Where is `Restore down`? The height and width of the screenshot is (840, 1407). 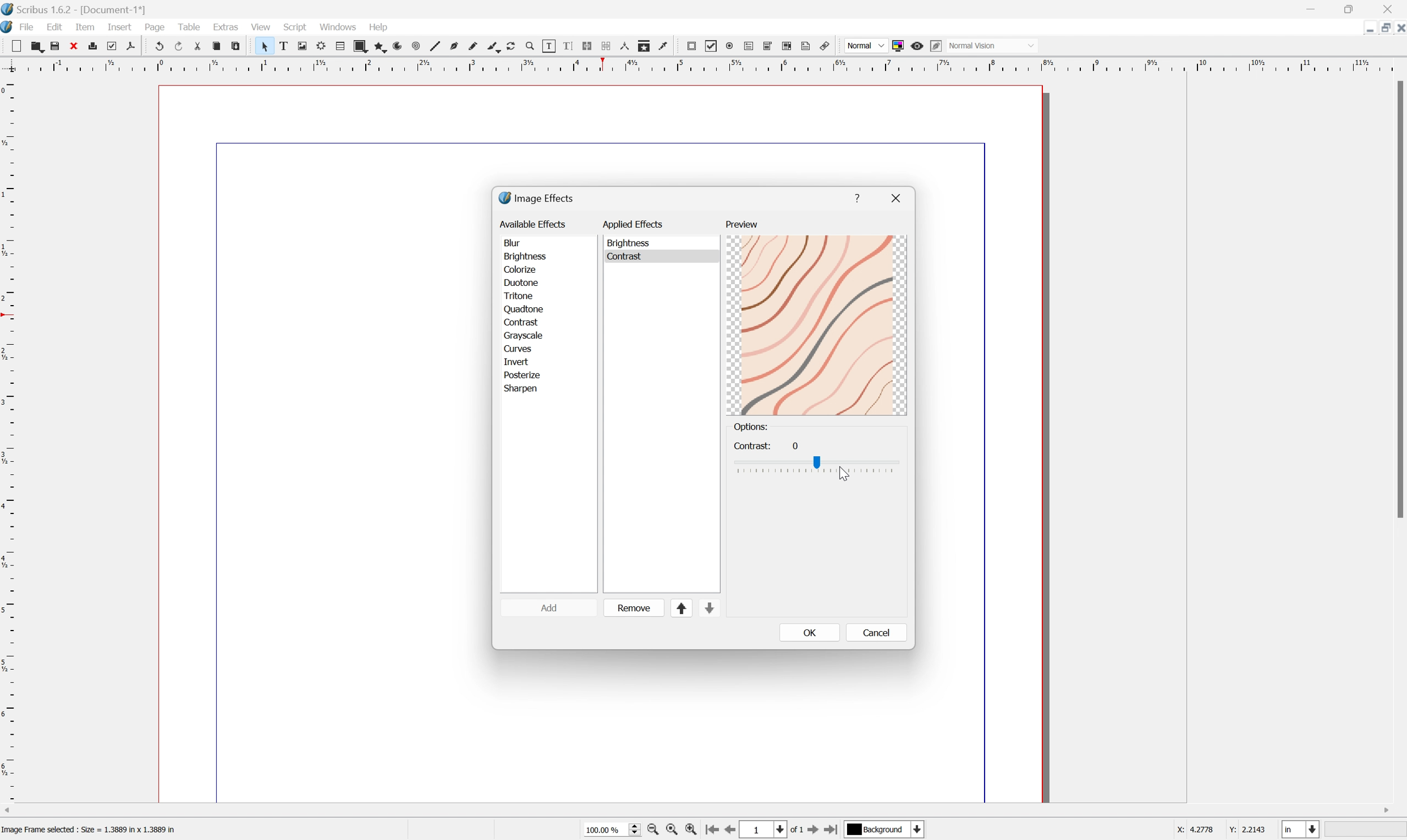
Restore down is located at coordinates (1353, 8).